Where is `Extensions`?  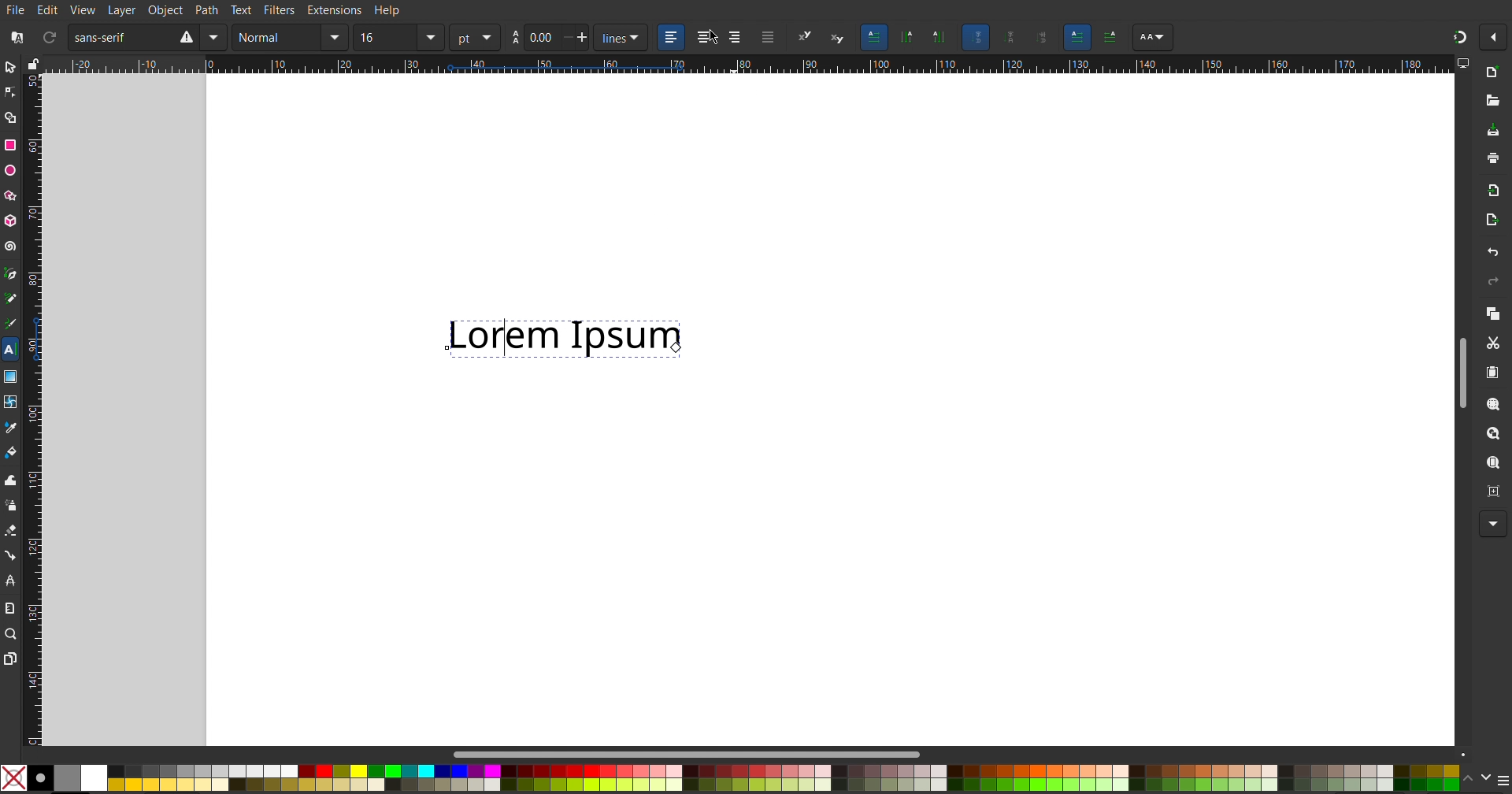
Extensions is located at coordinates (333, 11).